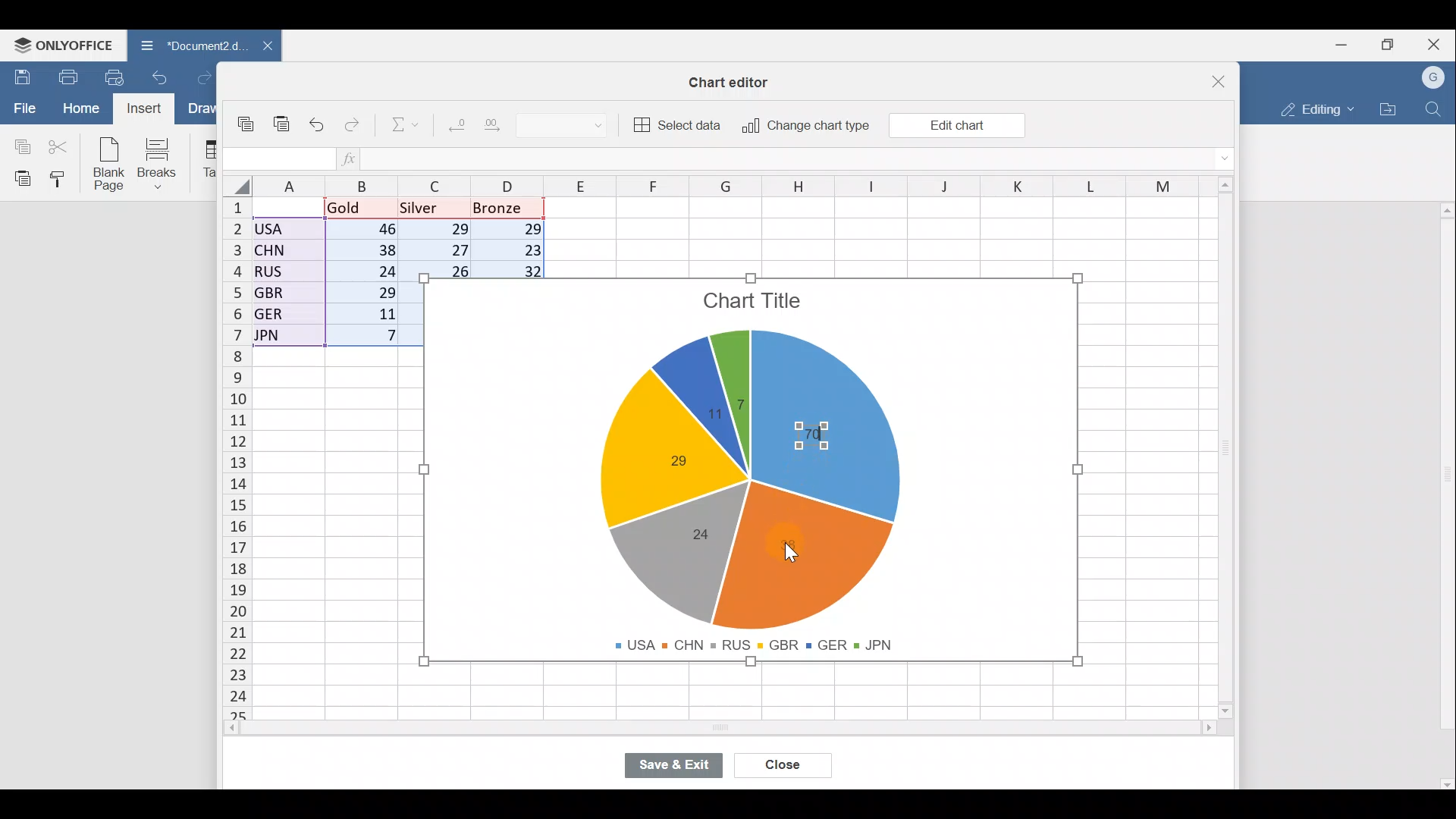  Describe the element at coordinates (277, 159) in the screenshot. I see `Cell name` at that location.